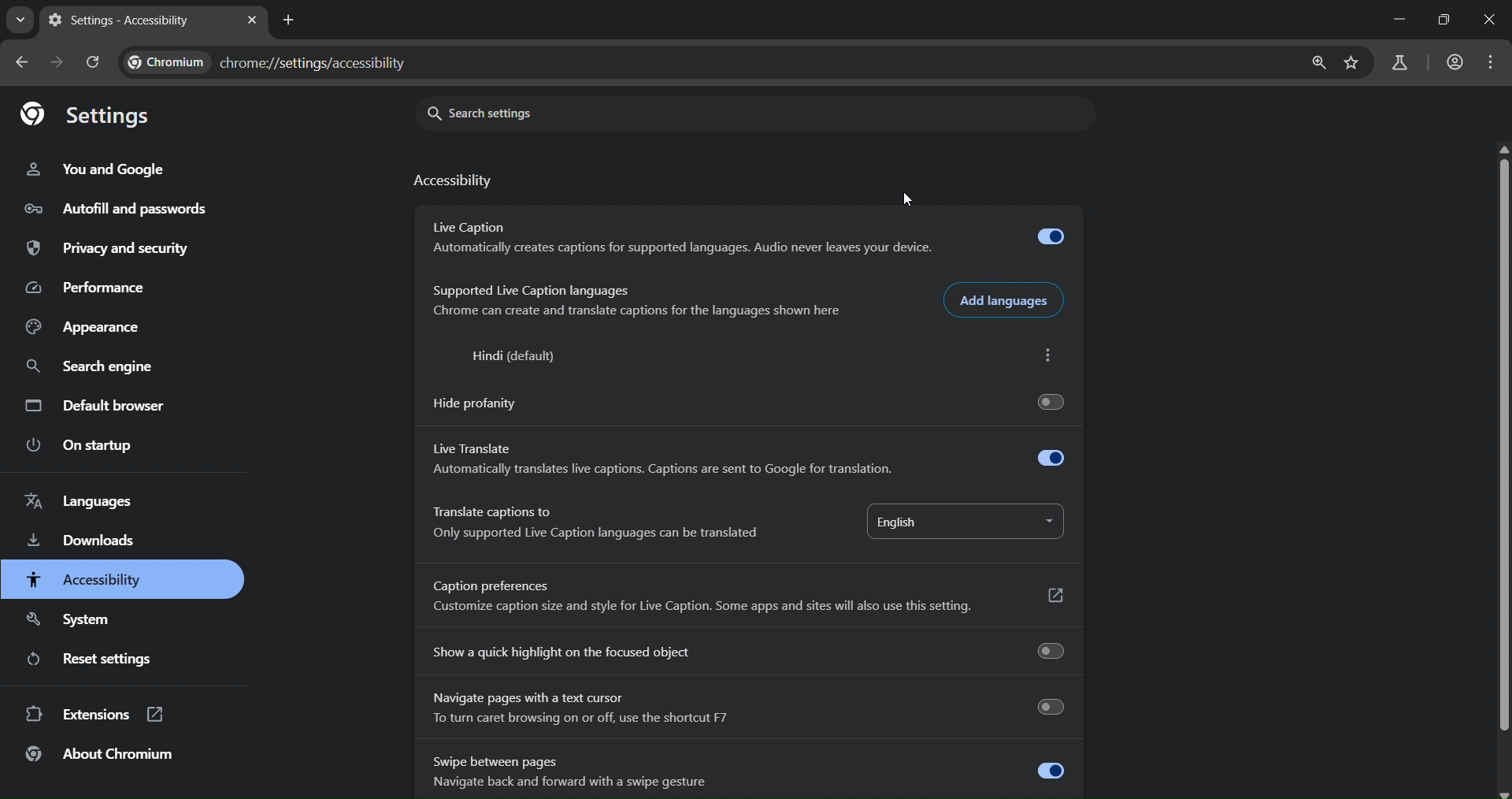 This screenshot has height=799, width=1512. What do you see at coordinates (109, 248) in the screenshot?
I see `privacy and security` at bounding box center [109, 248].